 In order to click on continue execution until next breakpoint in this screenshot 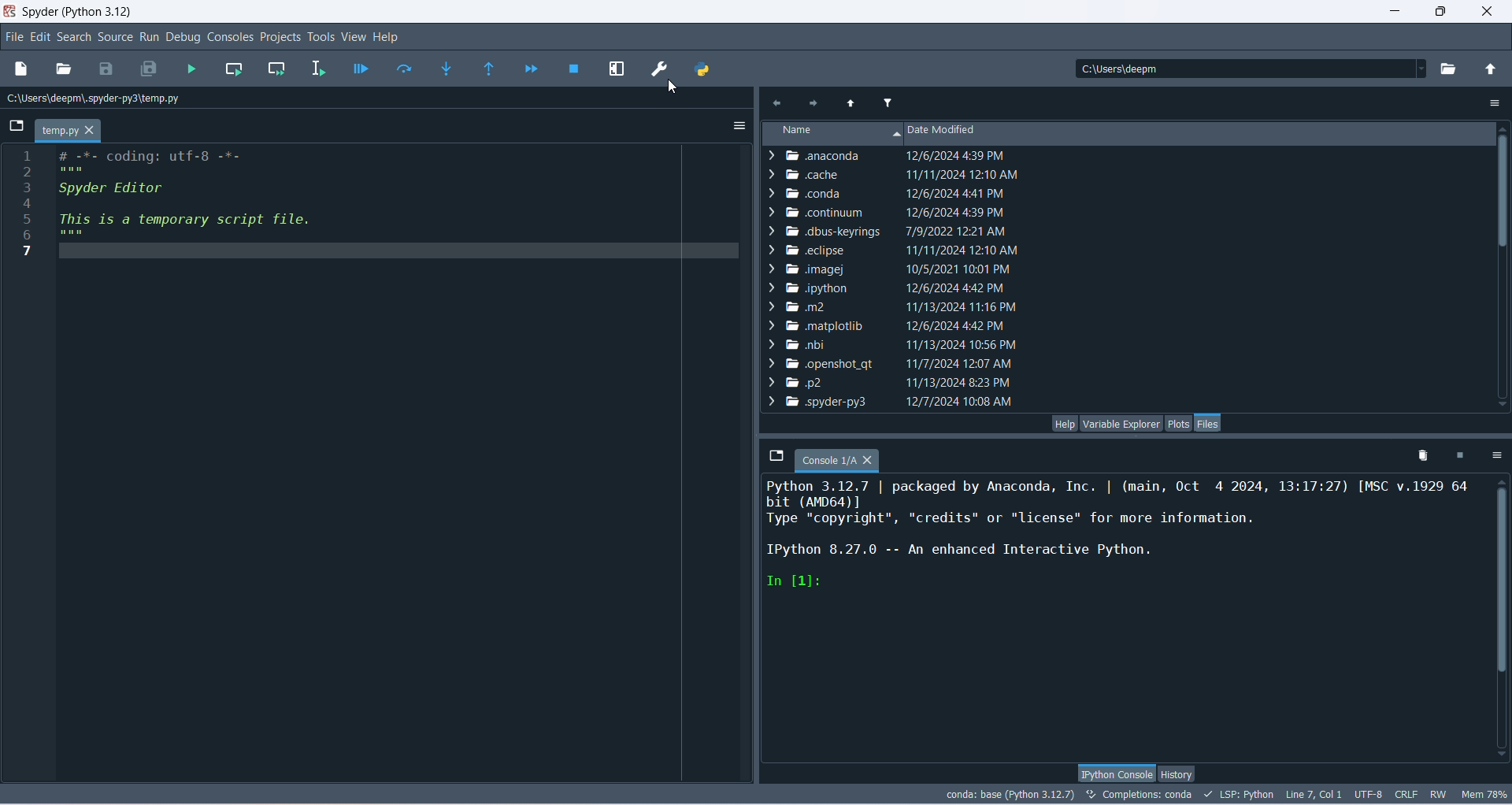, I will do `click(529, 69)`.